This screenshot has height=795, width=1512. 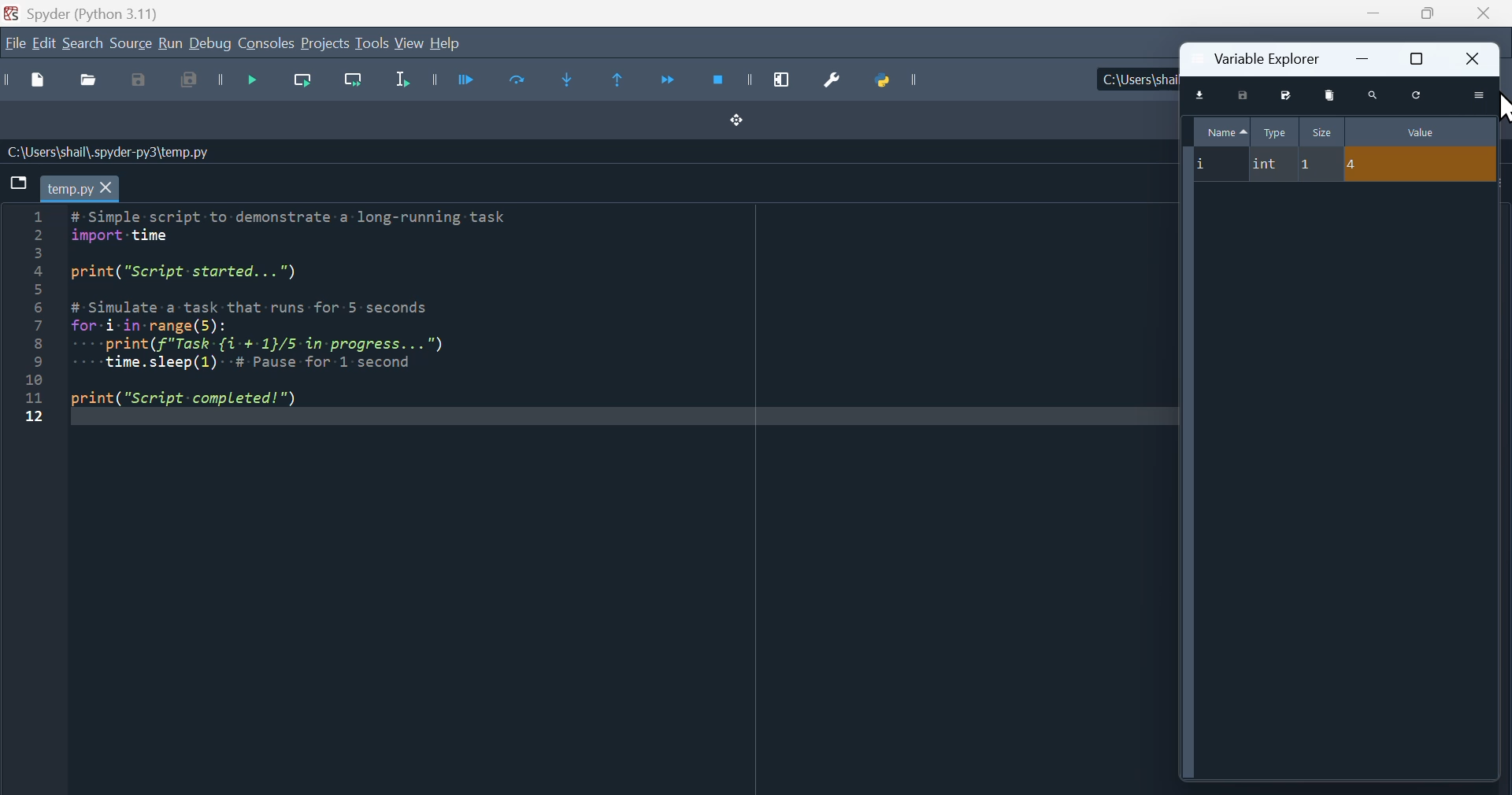 I want to click on Execute until same function returns, so click(x=621, y=78).